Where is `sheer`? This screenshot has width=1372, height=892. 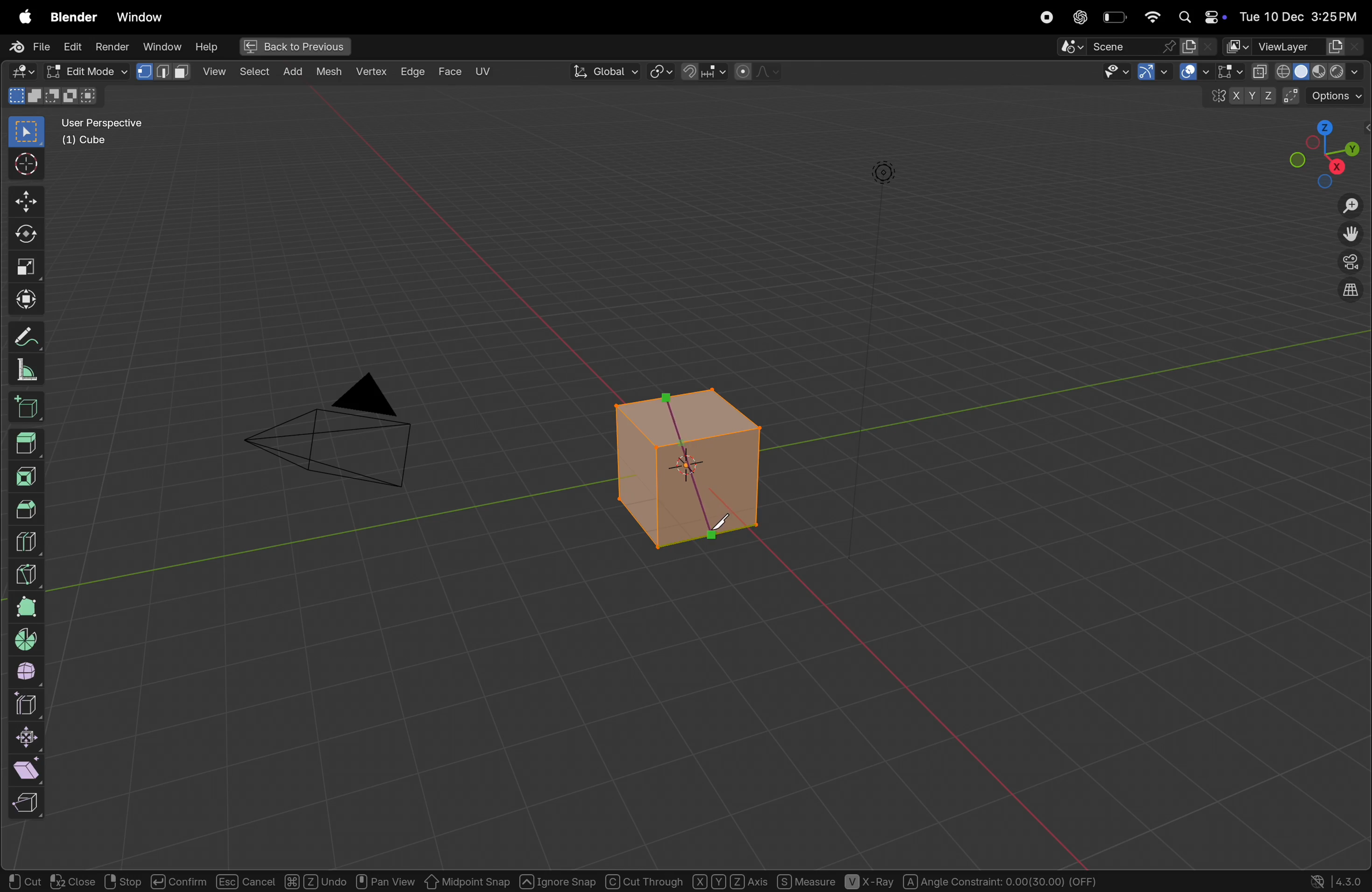
sheer is located at coordinates (31, 769).